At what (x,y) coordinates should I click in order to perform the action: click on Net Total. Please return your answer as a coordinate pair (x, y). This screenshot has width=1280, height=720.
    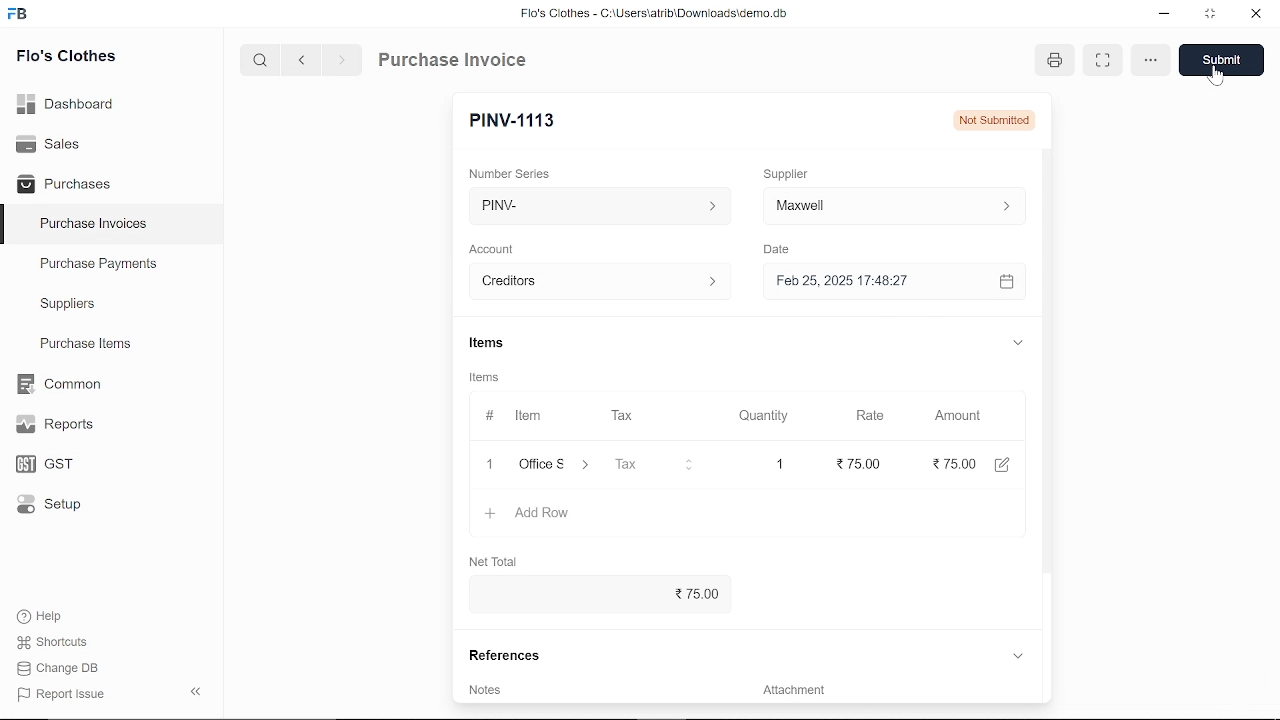
    Looking at the image, I should click on (500, 560).